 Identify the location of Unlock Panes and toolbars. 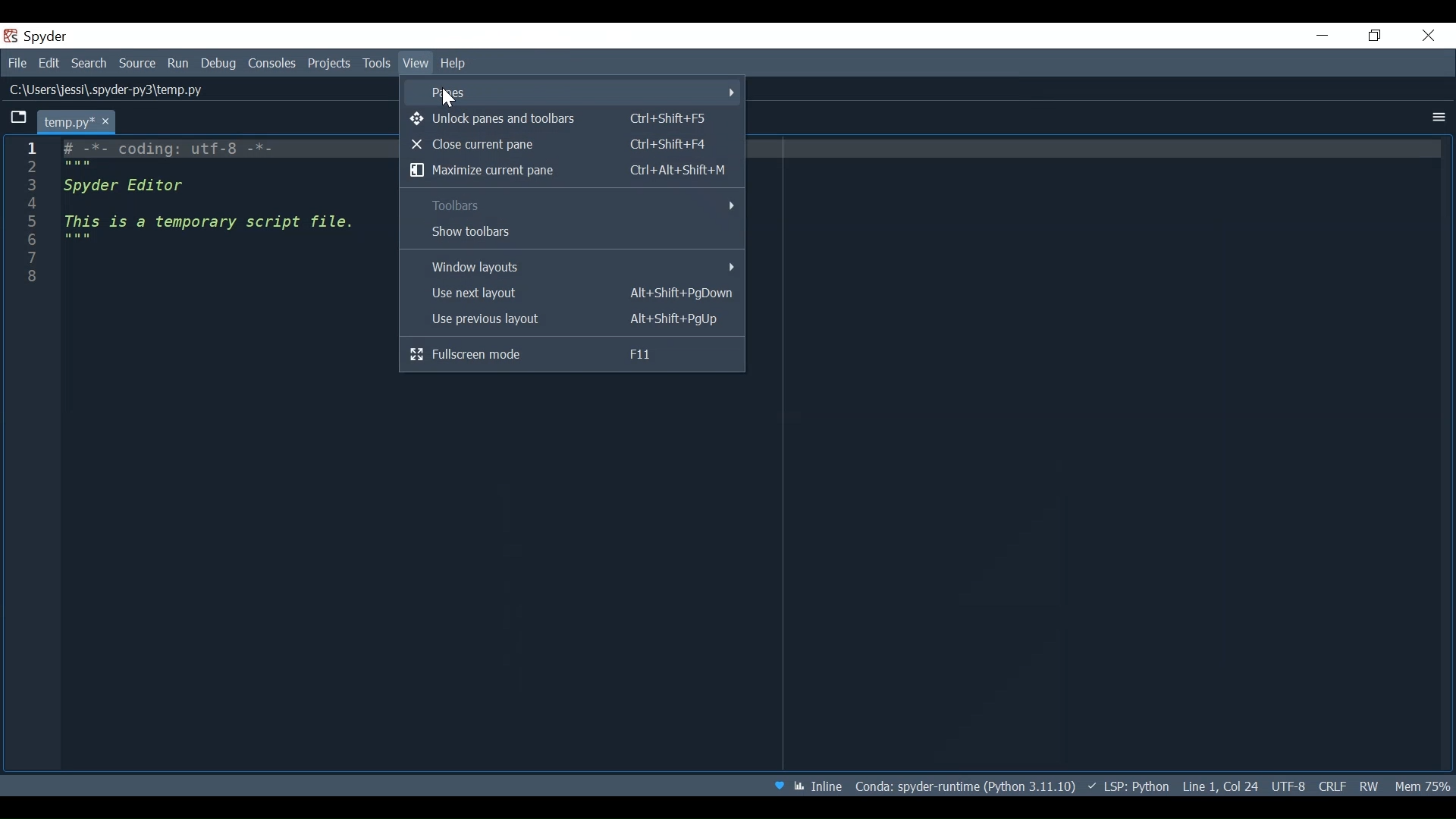
(568, 118).